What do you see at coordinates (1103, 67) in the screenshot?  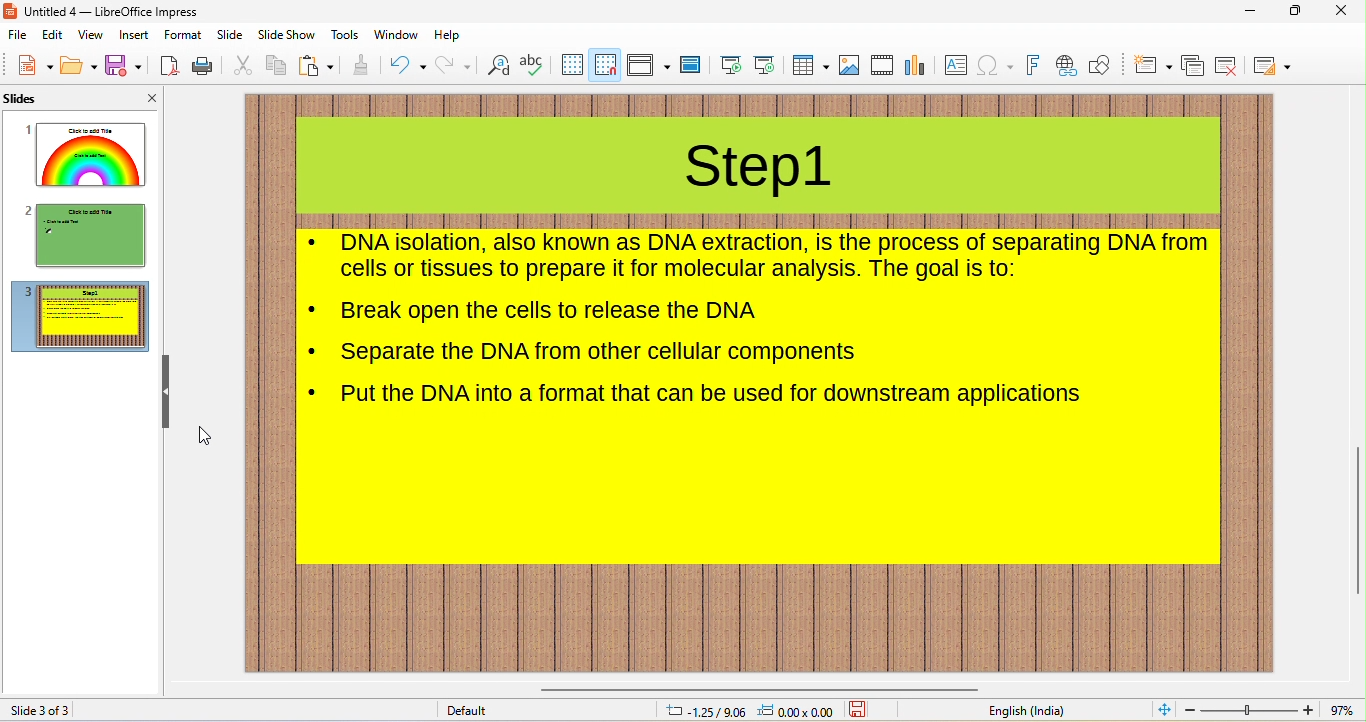 I see `show draw functions` at bounding box center [1103, 67].